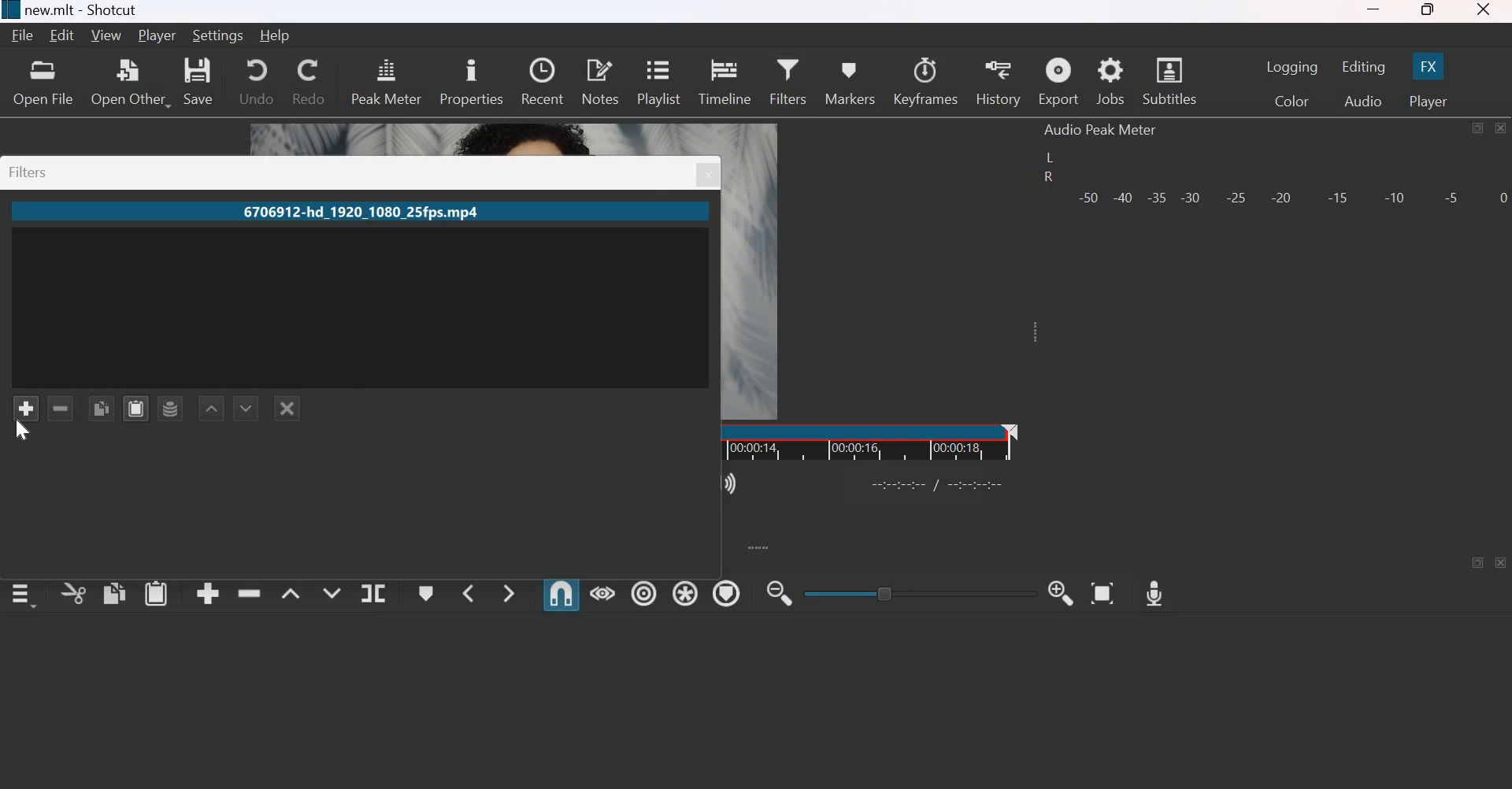 Image resolution: width=1512 pixels, height=789 pixels. I want to click on minimize, so click(1373, 13).